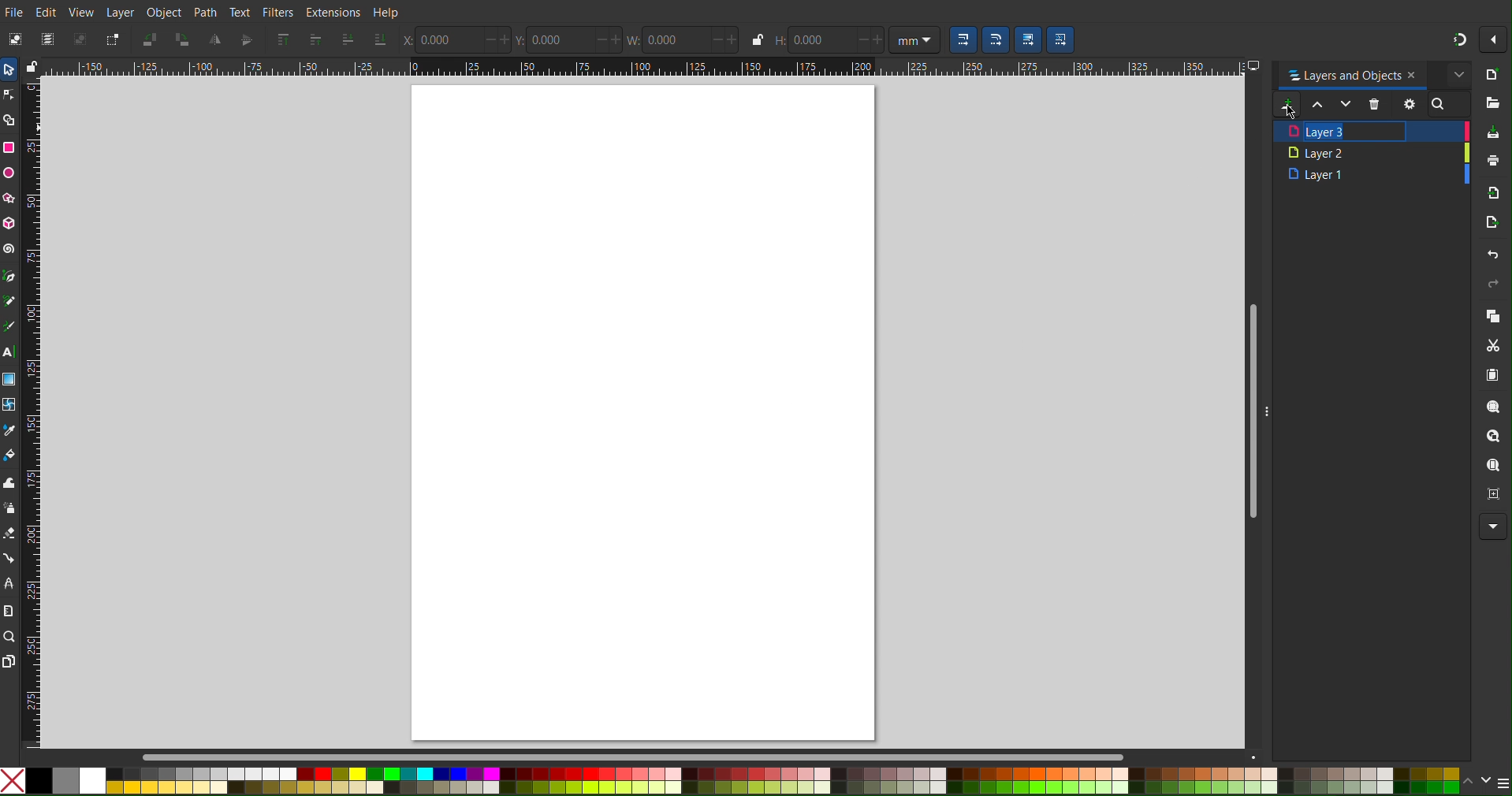 The height and width of the screenshot is (796, 1512). Describe the element at coordinates (216, 40) in the screenshot. I see `Mirror Vertically` at that location.